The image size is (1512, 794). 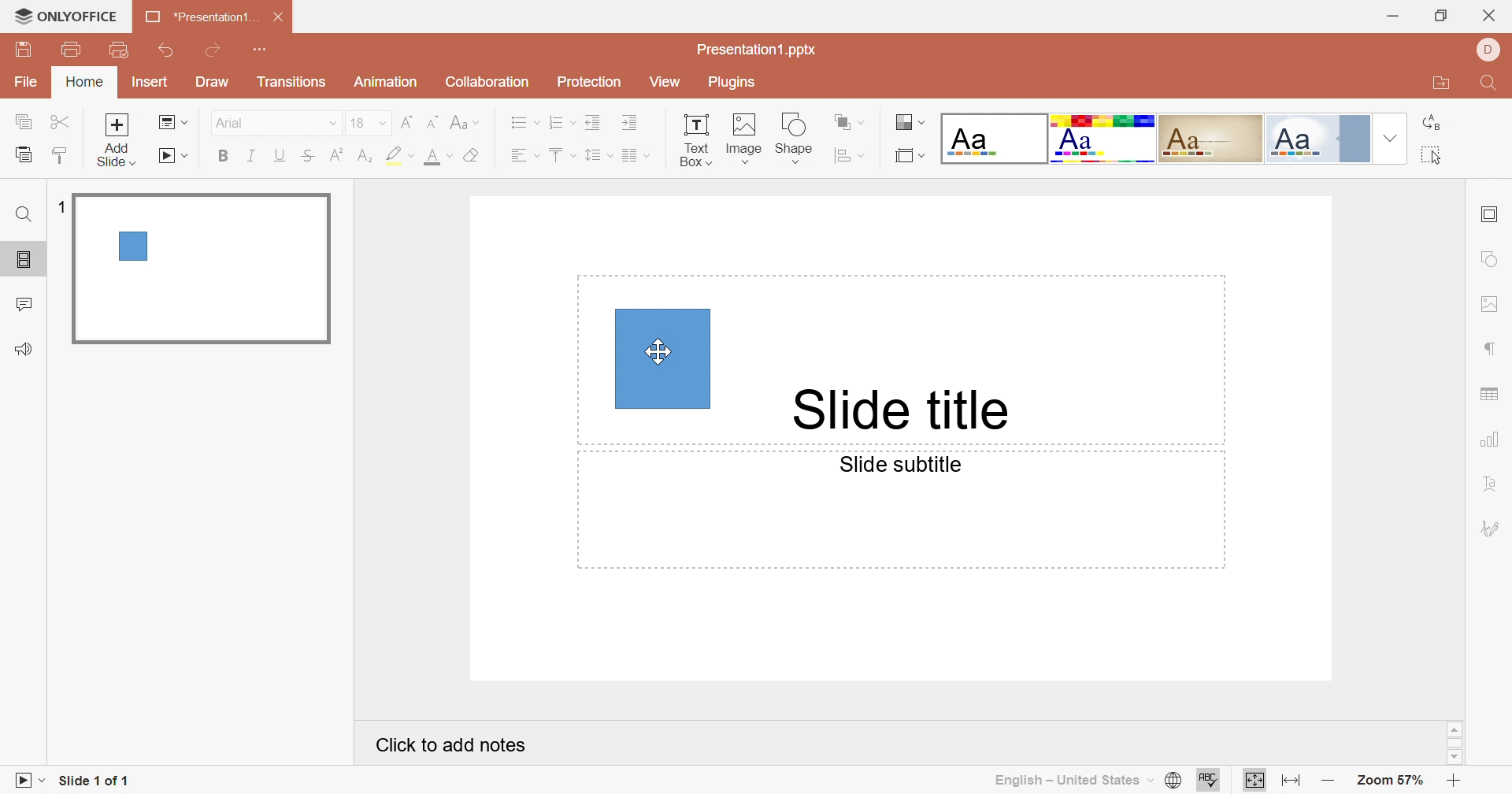 I want to click on SET DOCUMENT LANGUAGE, so click(x=1173, y=781).